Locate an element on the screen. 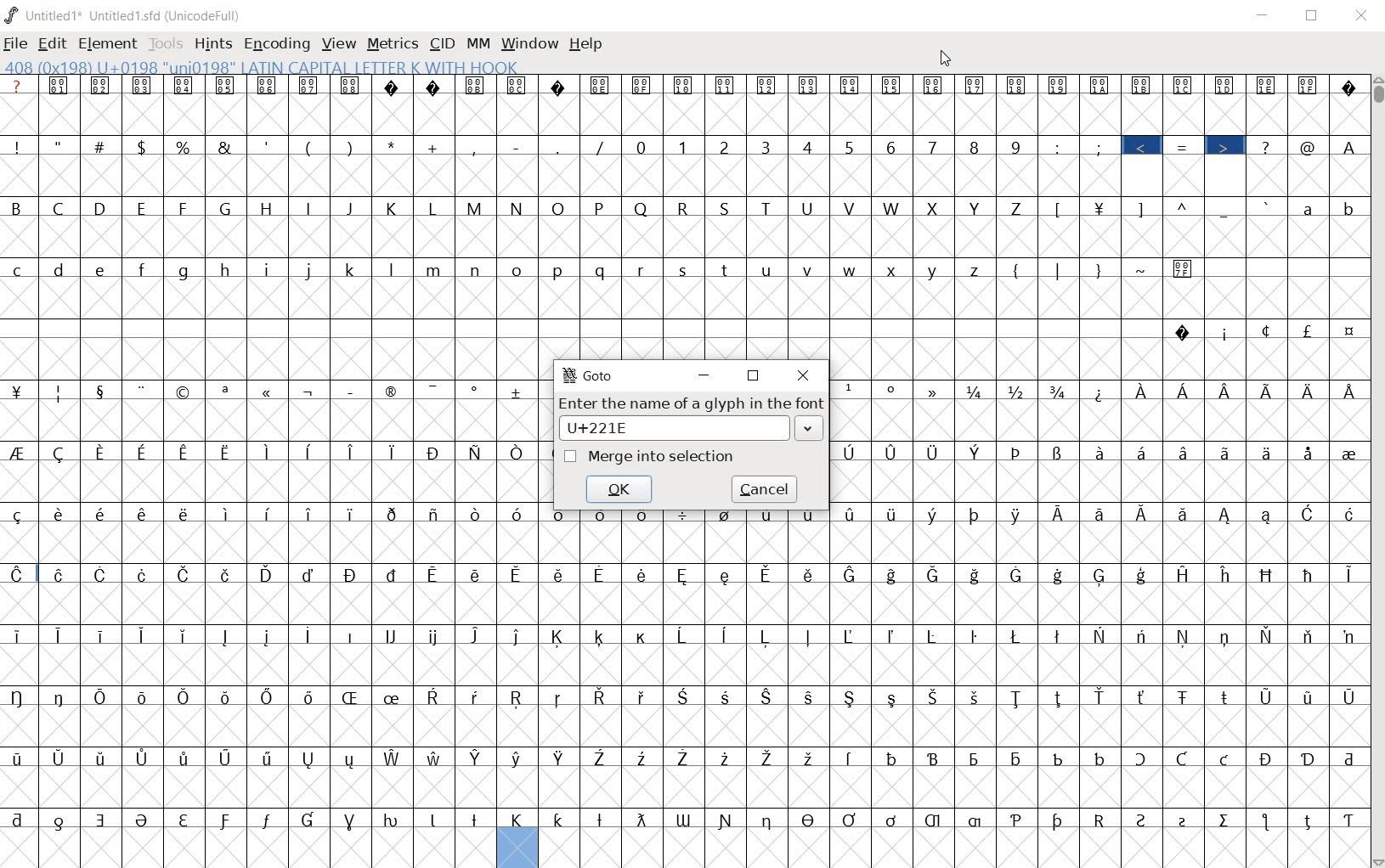 This screenshot has height=868, width=1385. empty glyph slots is located at coordinates (684, 727).